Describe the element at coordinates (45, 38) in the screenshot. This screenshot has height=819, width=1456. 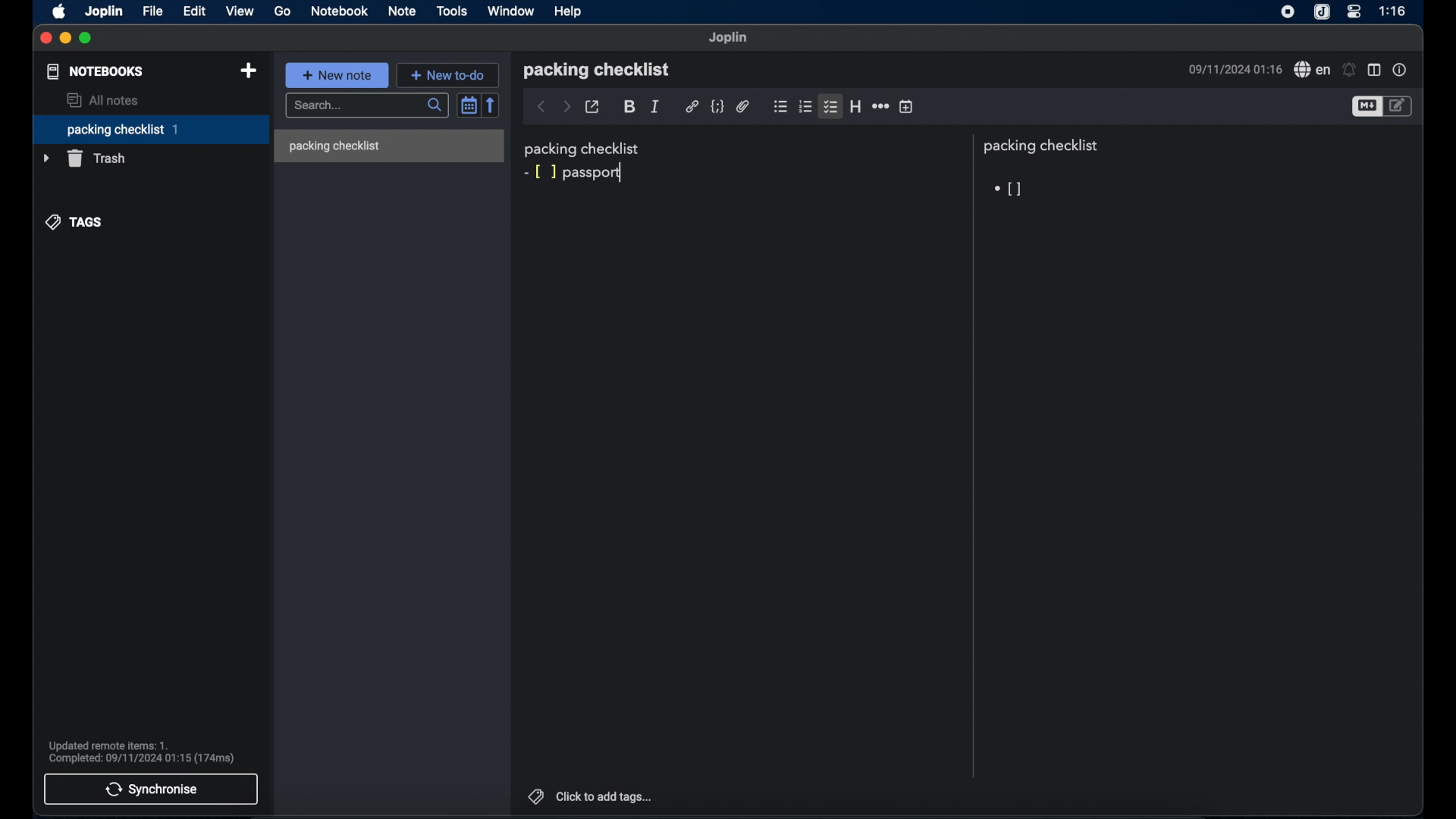
I see `close` at that location.